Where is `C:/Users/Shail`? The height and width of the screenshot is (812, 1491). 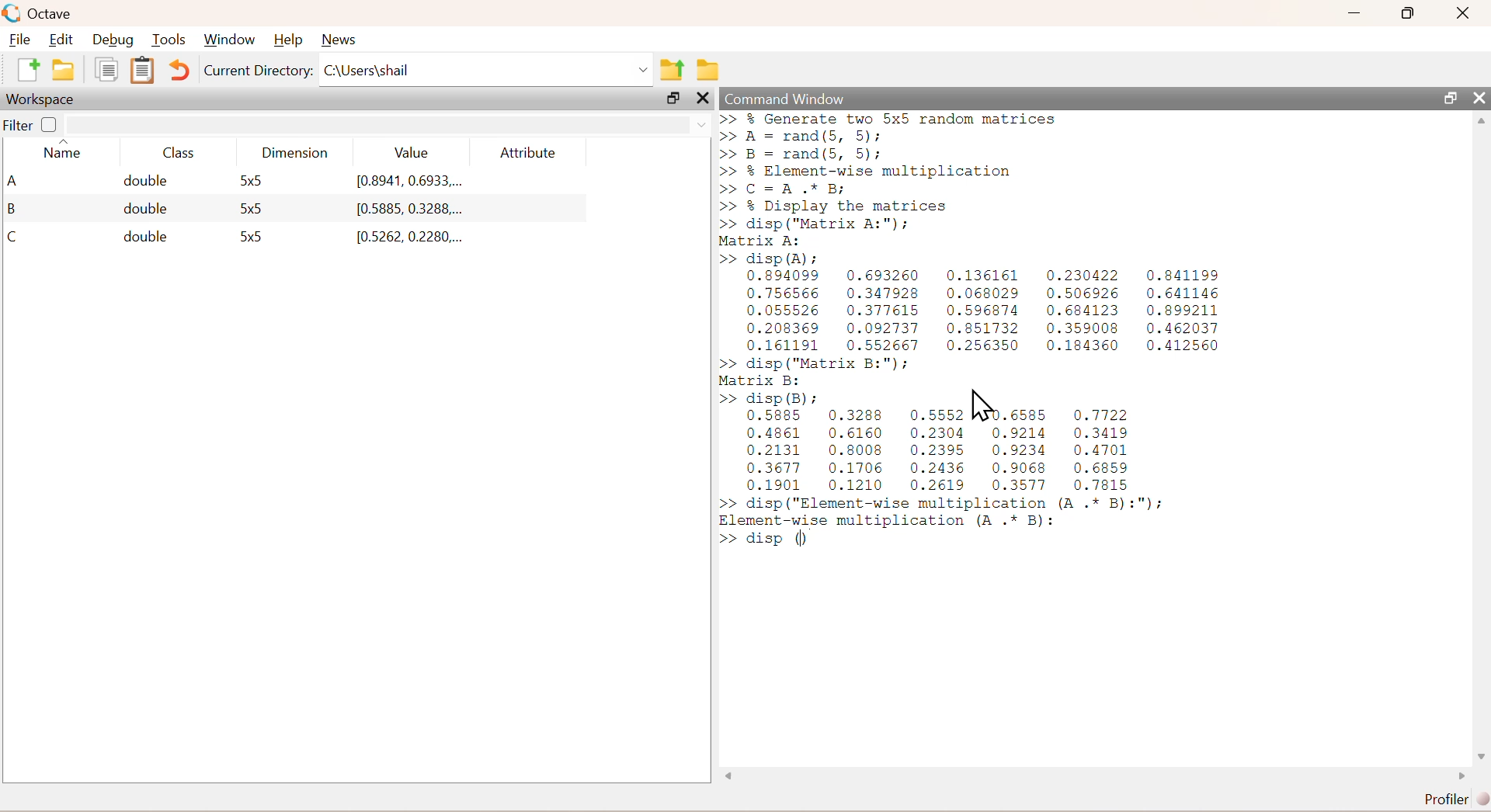 C:/Users/Shail is located at coordinates (485, 72).